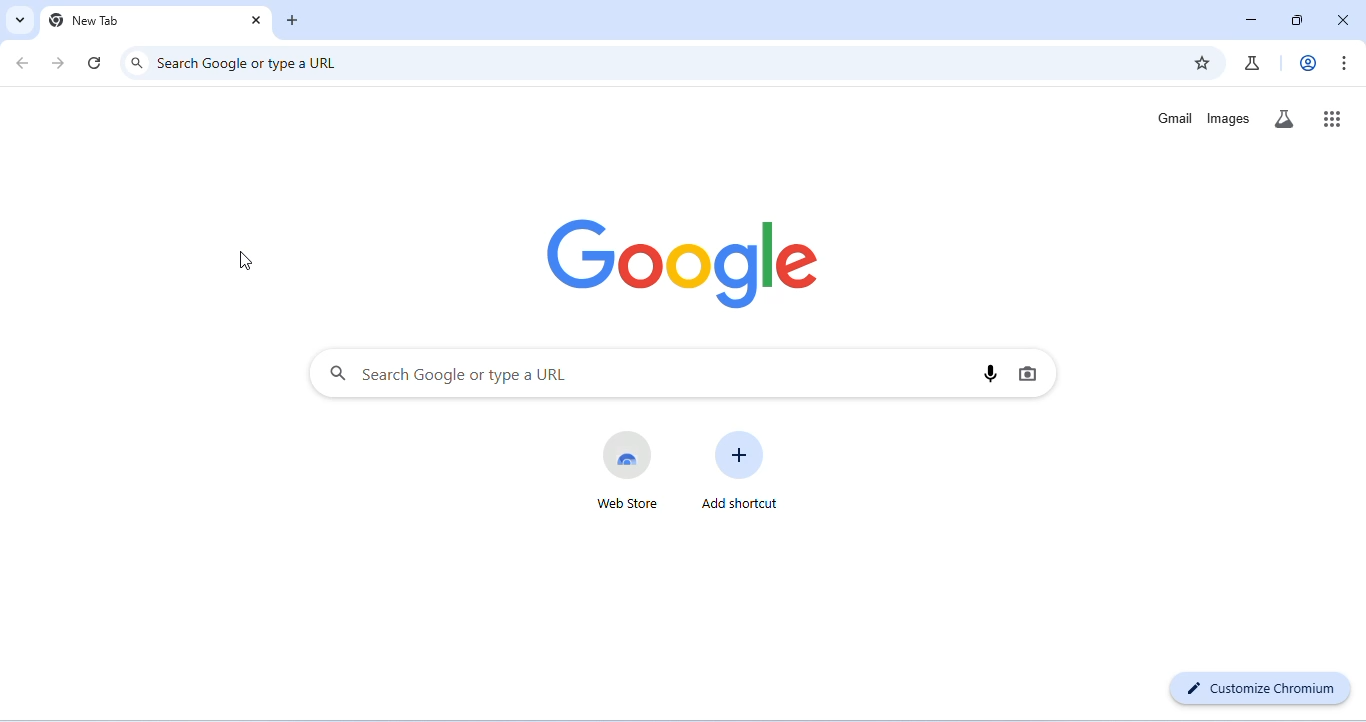 The height and width of the screenshot is (722, 1366). What do you see at coordinates (1258, 689) in the screenshot?
I see `customize chromium` at bounding box center [1258, 689].